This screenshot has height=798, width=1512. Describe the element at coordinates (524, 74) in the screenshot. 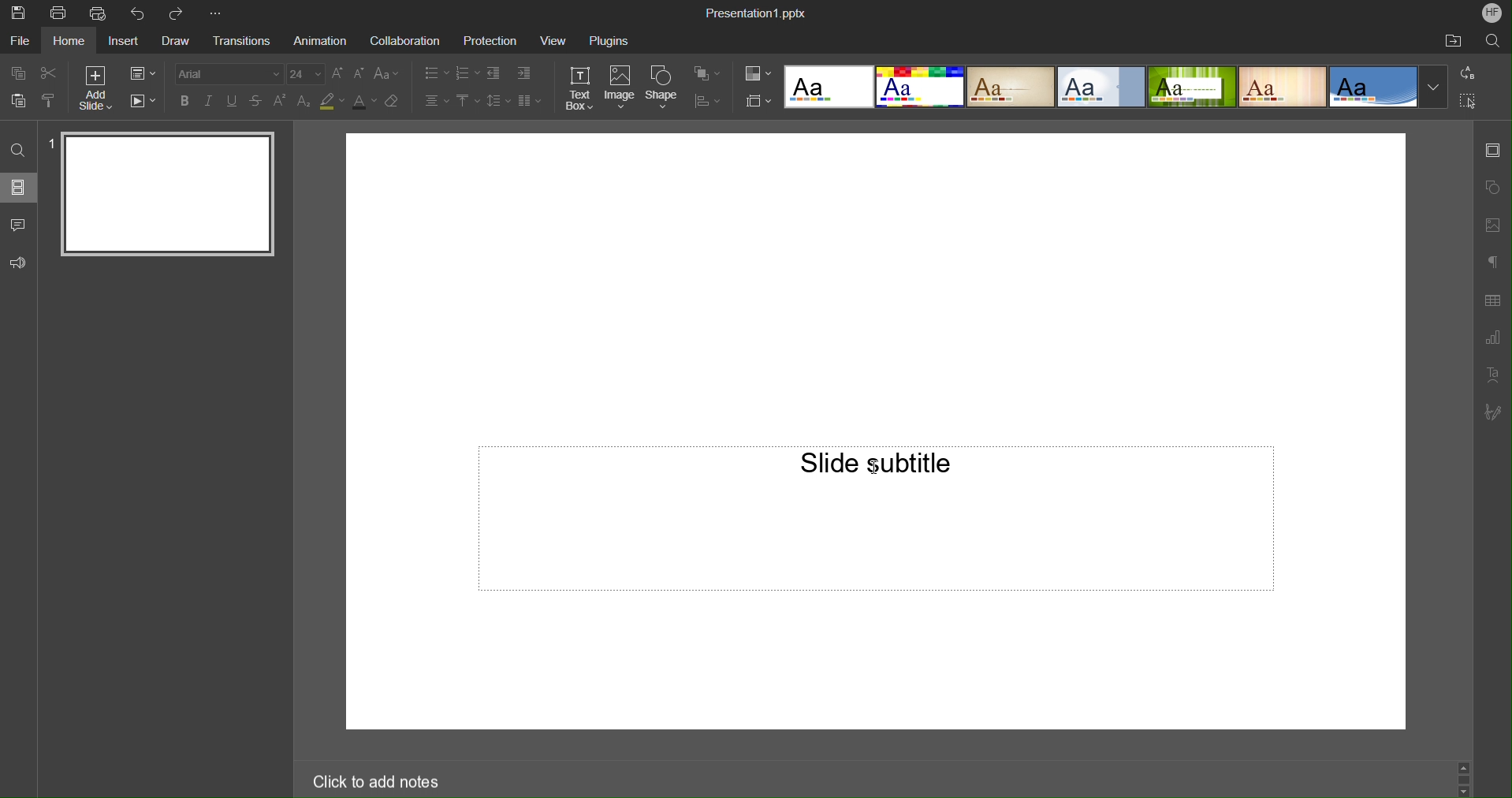

I see `Decrease Indent` at that location.